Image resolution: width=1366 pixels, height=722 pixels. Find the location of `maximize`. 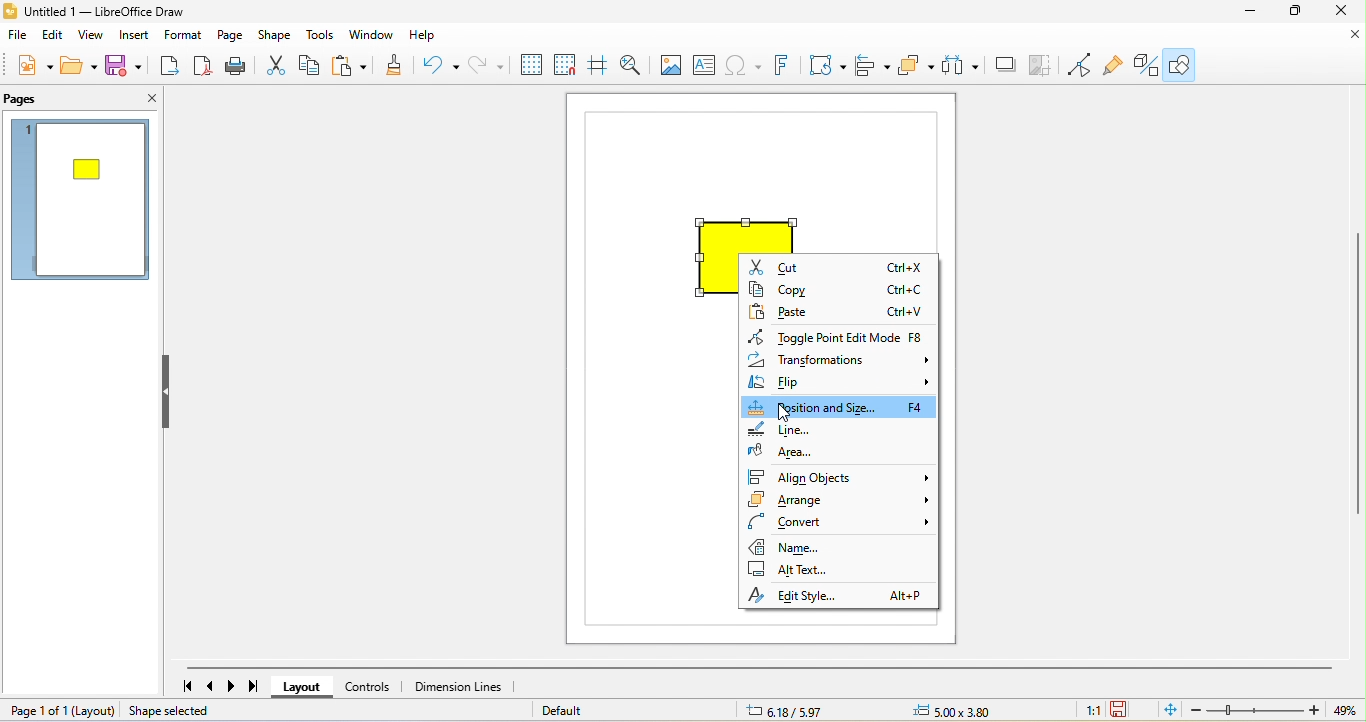

maximize is located at coordinates (1293, 13).